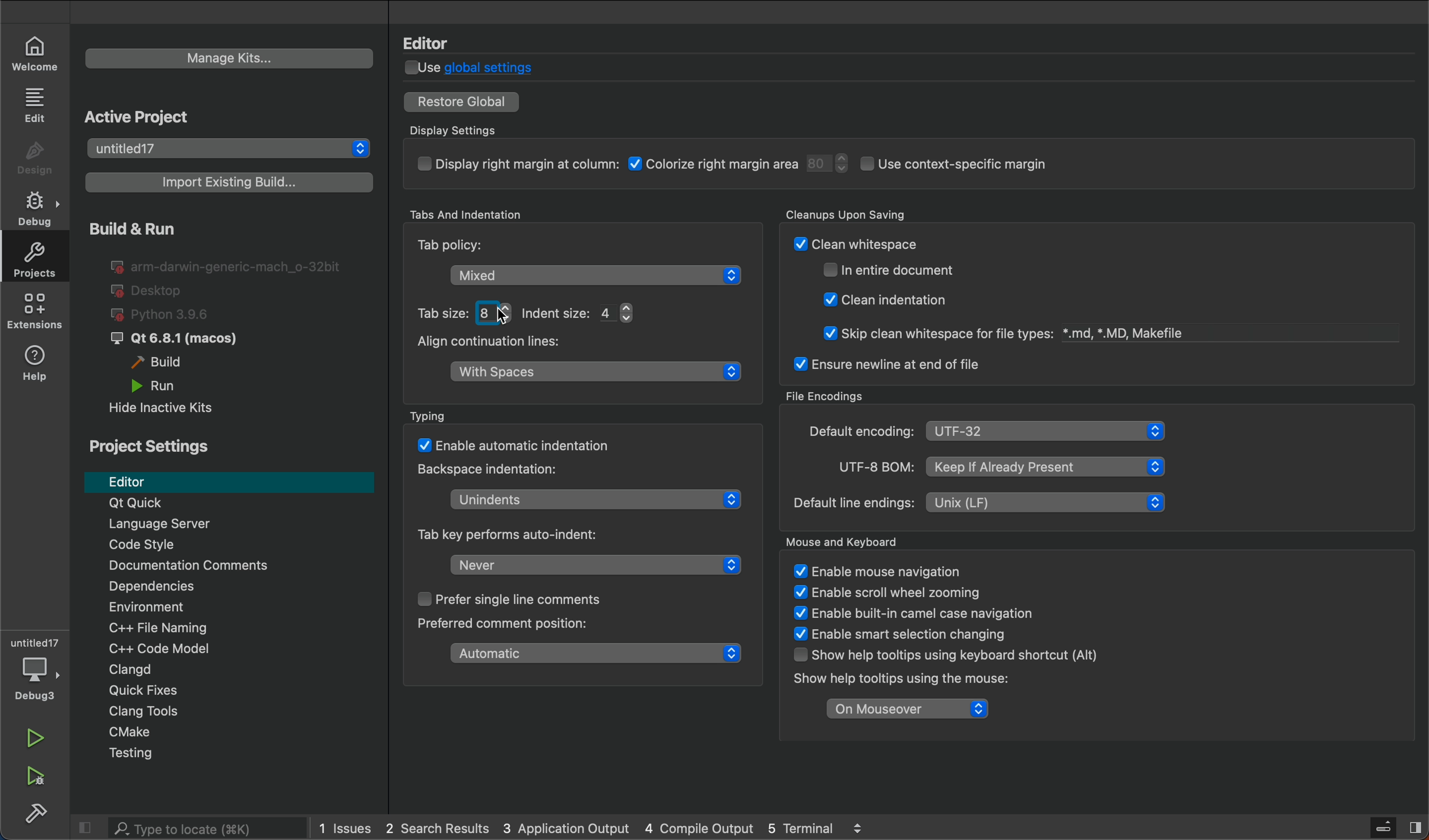 Image resolution: width=1429 pixels, height=840 pixels. Describe the element at coordinates (237, 609) in the screenshot. I see `Environment ` at that location.